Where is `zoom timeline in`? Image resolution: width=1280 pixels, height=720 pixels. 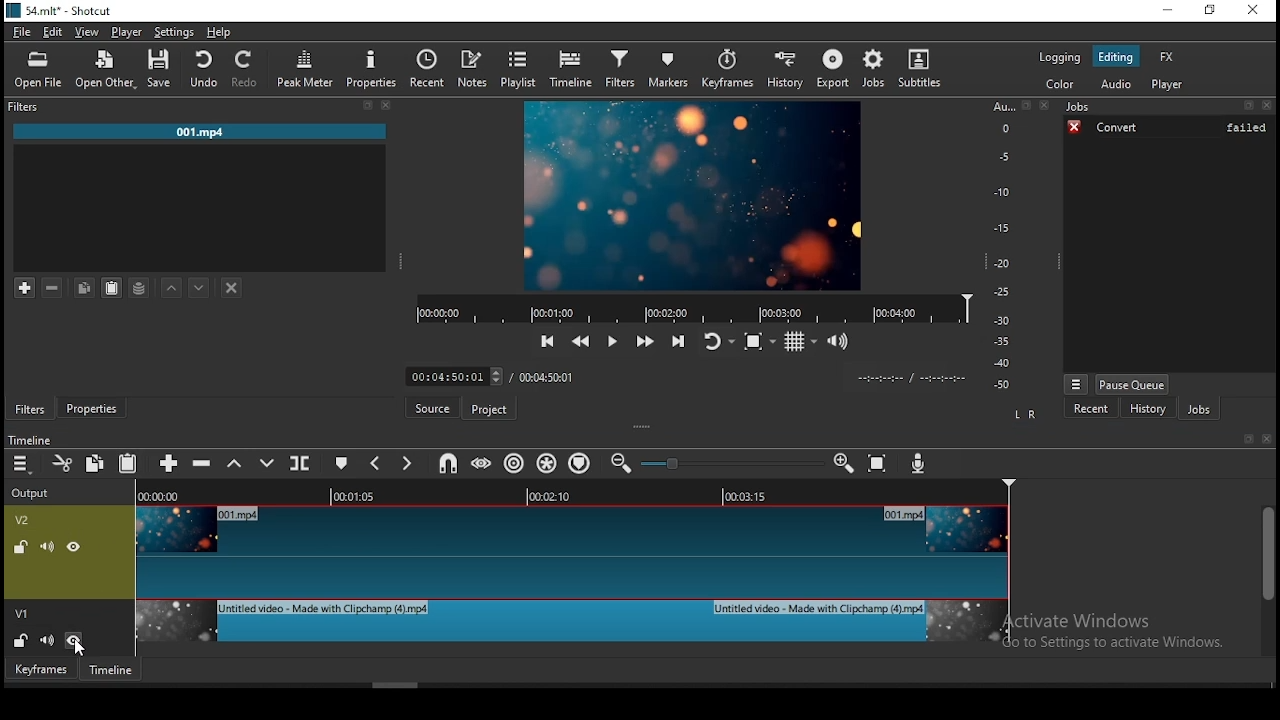
zoom timeline in is located at coordinates (620, 464).